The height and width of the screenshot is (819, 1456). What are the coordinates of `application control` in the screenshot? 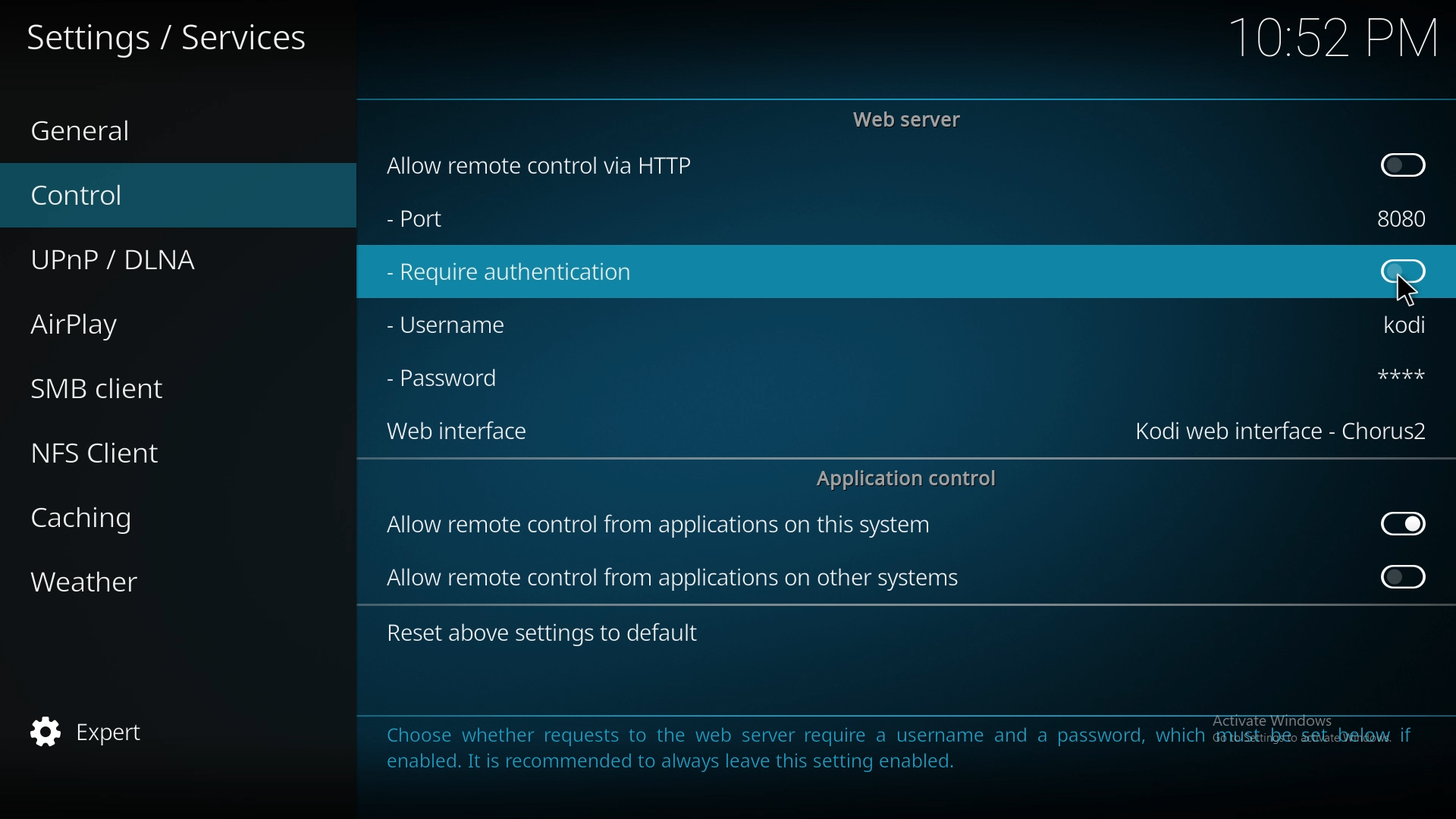 It's located at (912, 478).